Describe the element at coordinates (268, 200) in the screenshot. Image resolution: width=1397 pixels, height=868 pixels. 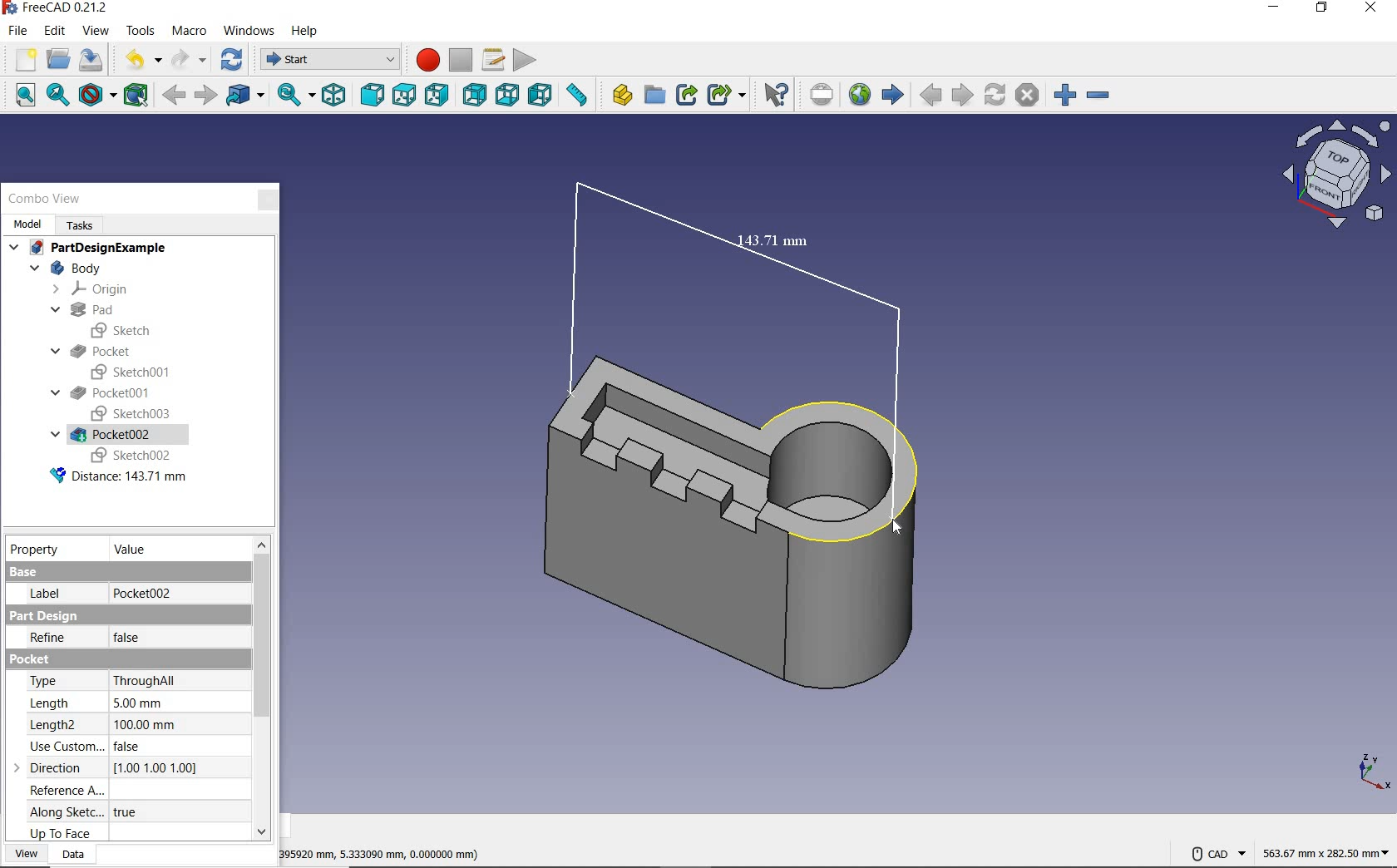
I see `CLOSE` at that location.